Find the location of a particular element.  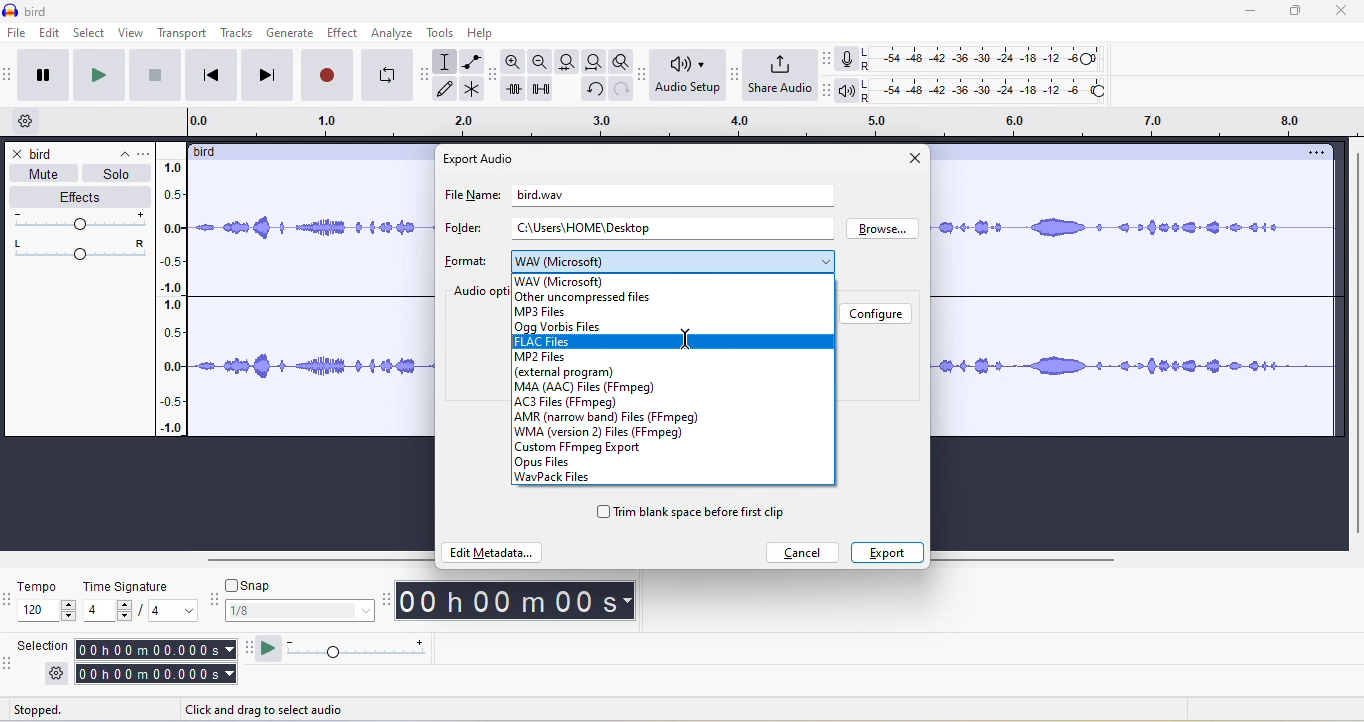

amr is located at coordinates (609, 418).